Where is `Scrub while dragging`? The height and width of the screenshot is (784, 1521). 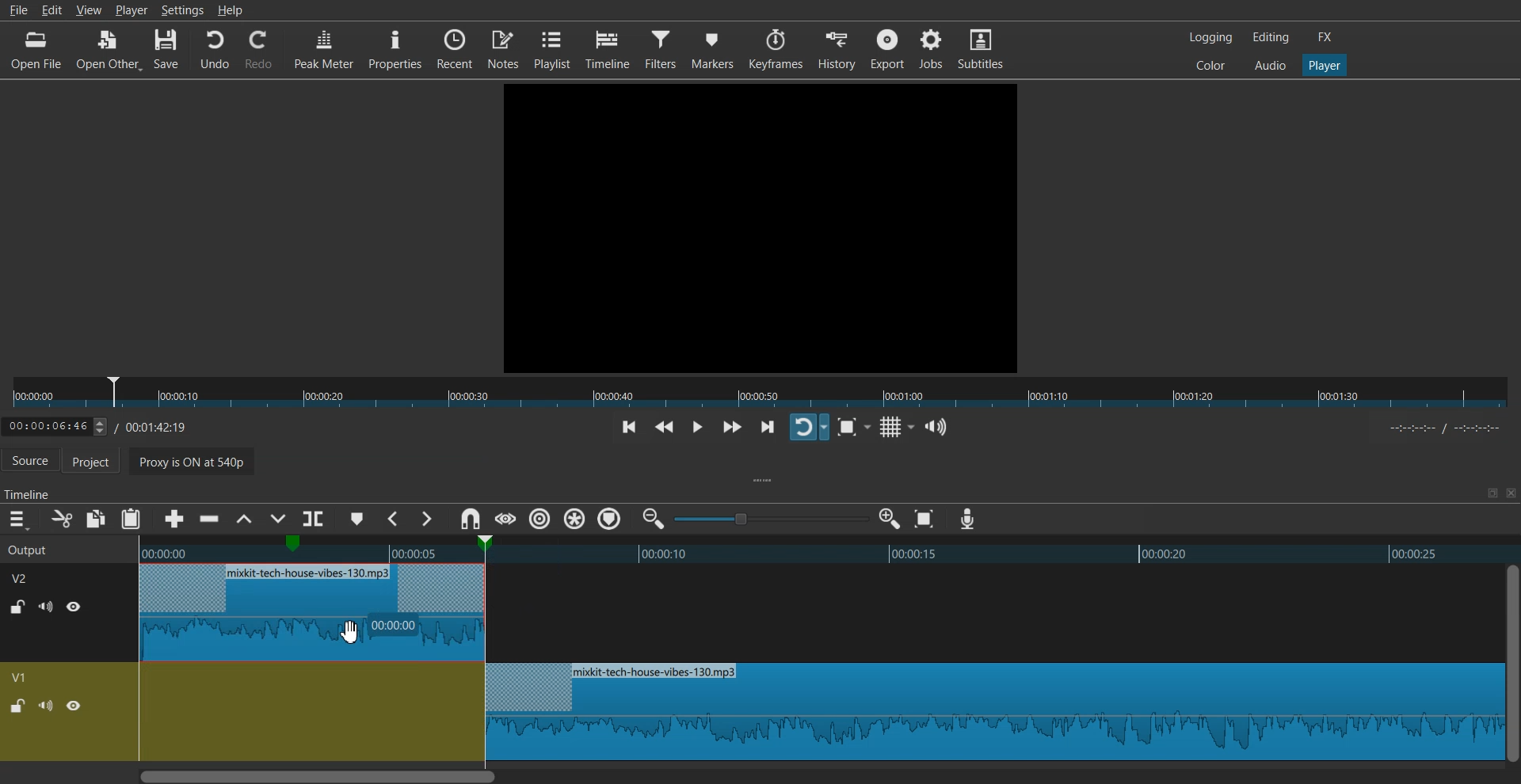
Scrub while dragging is located at coordinates (505, 519).